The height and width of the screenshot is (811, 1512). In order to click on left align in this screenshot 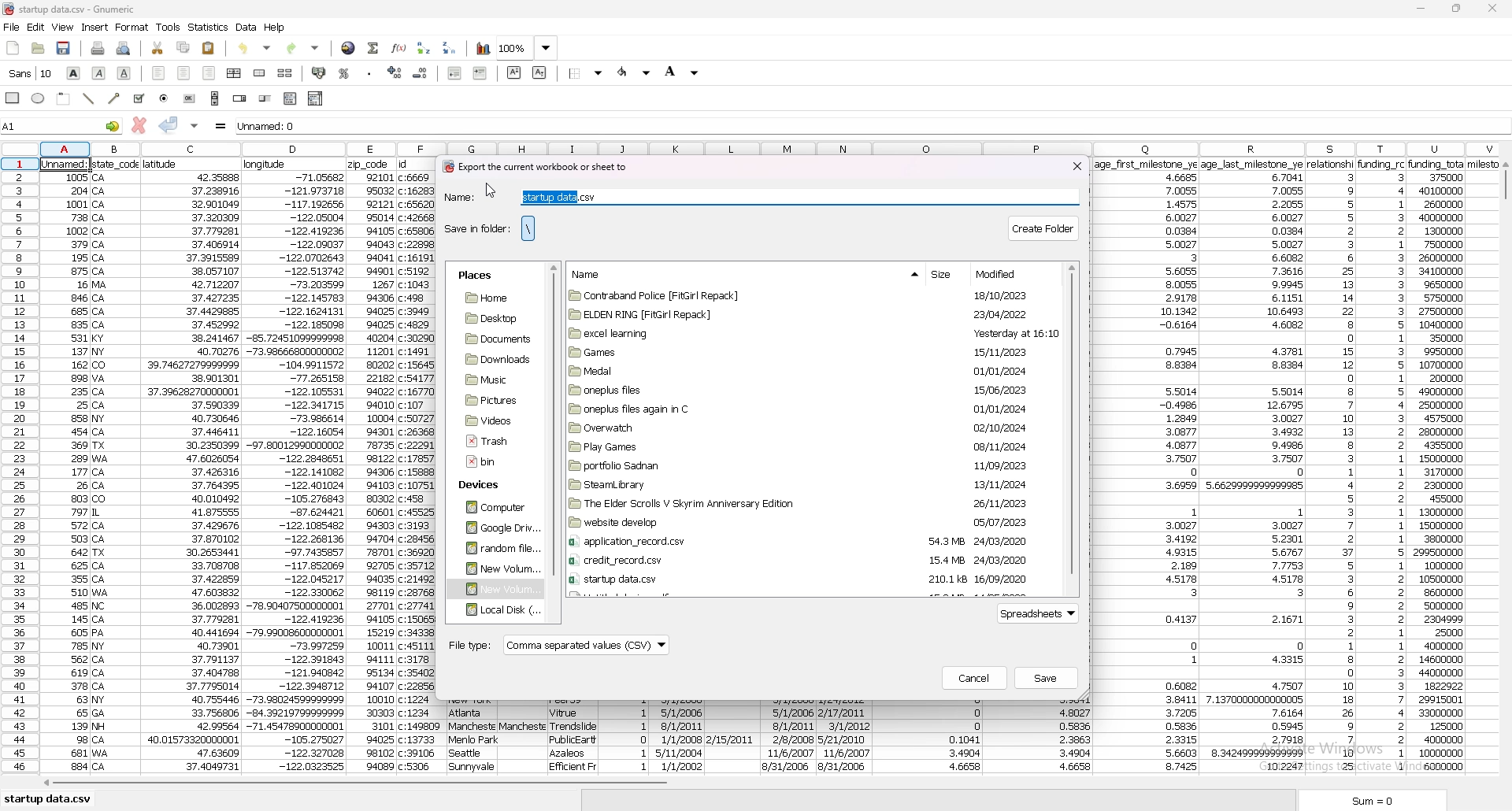, I will do `click(159, 73)`.